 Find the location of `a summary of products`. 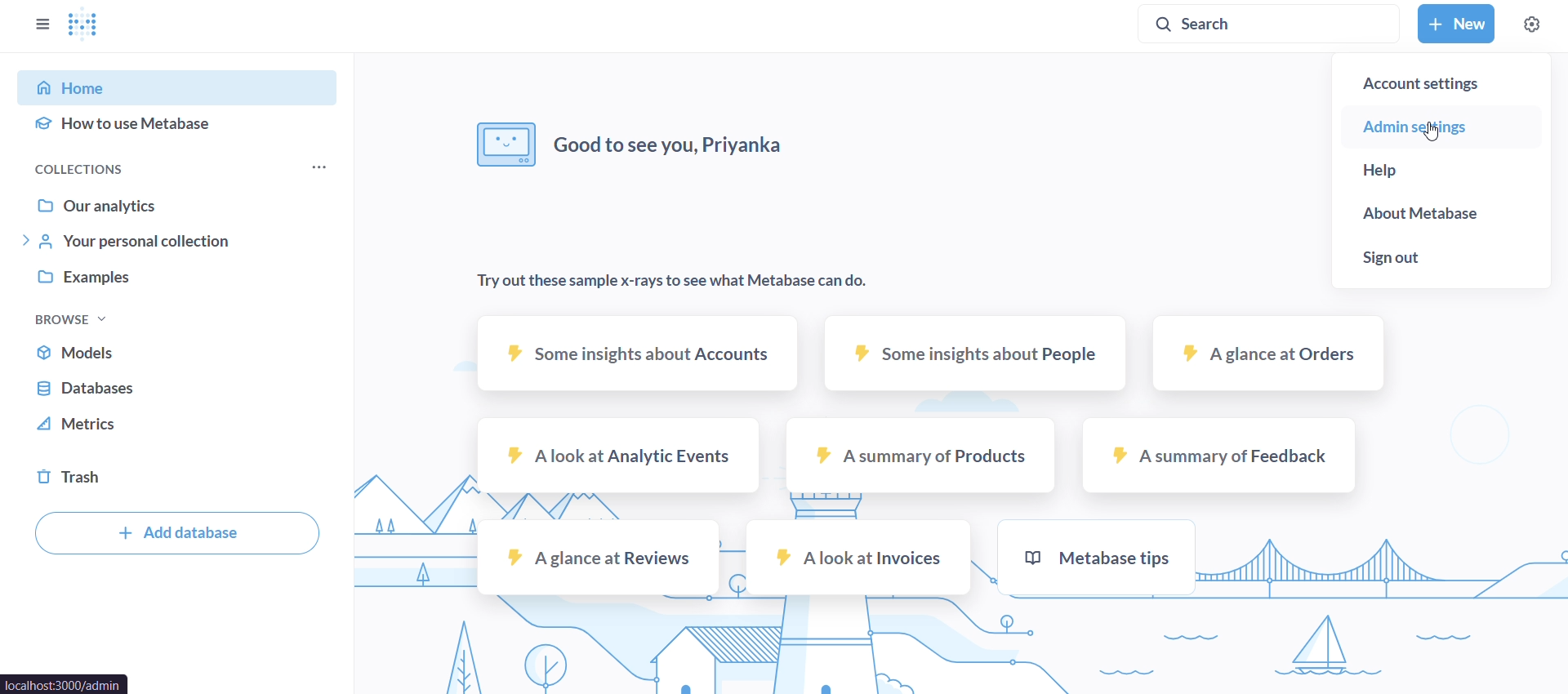

a summary of products is located at coordinates (921, 456).